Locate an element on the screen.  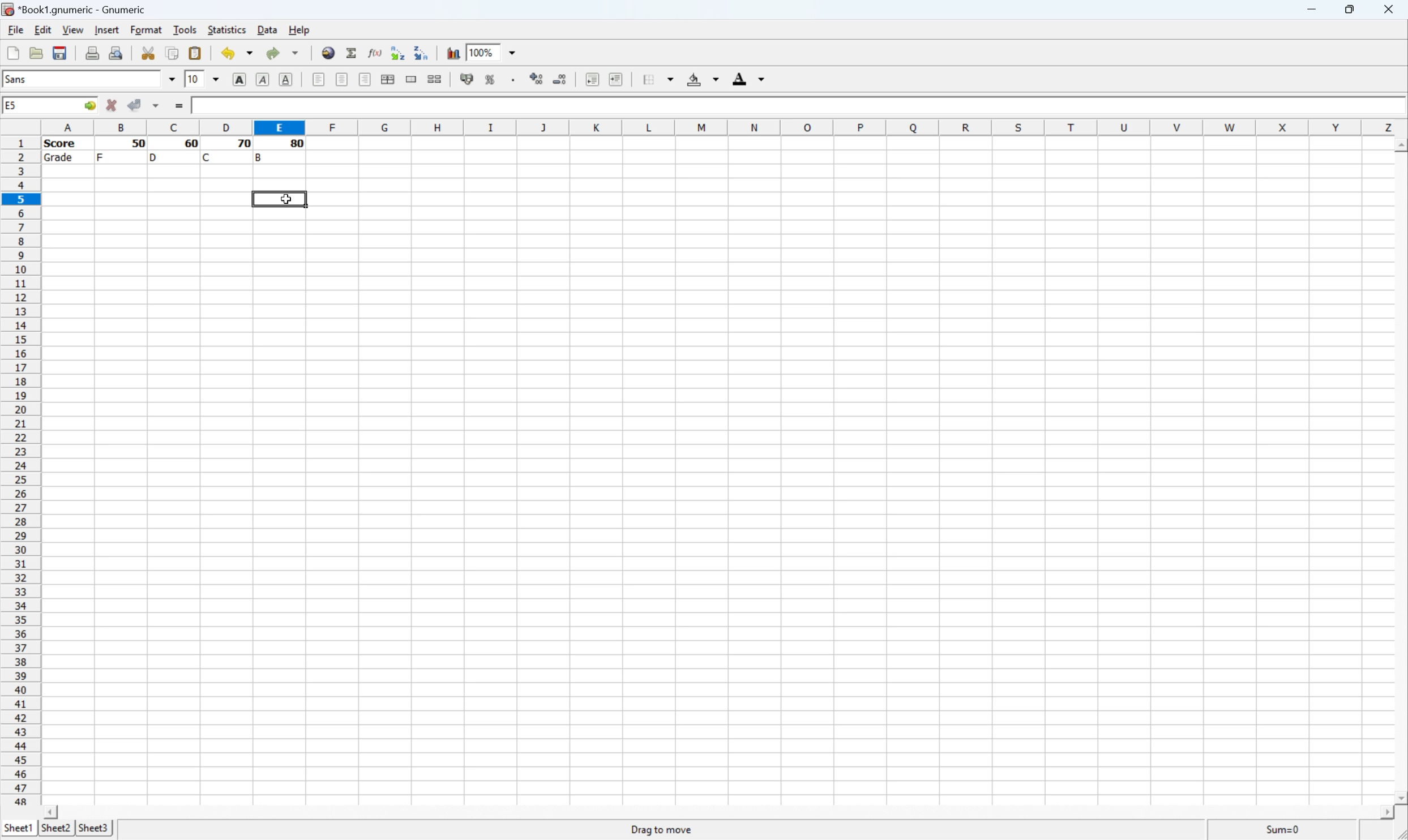
selected 5 Row is located at coordinates (20, 198).